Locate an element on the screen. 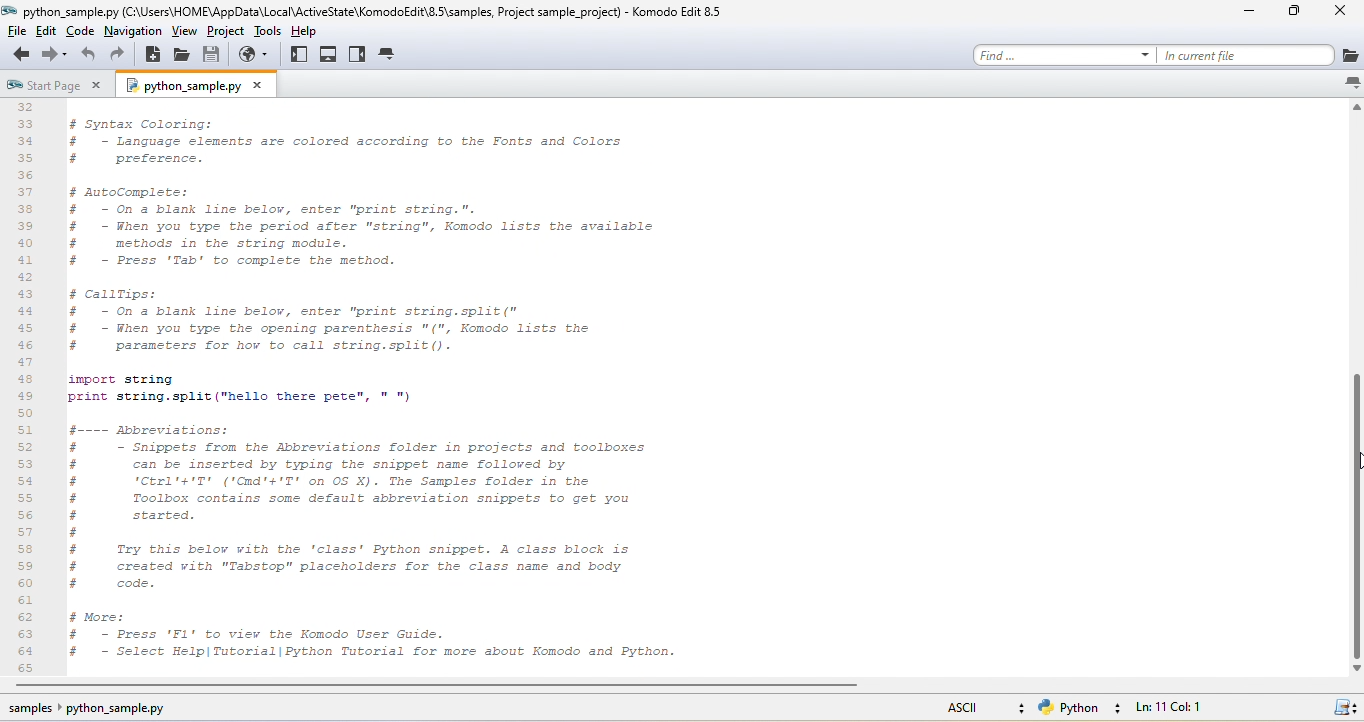 The width and height of the screenshot is (1364, 722). ascii is located at coordinates (979, 706).